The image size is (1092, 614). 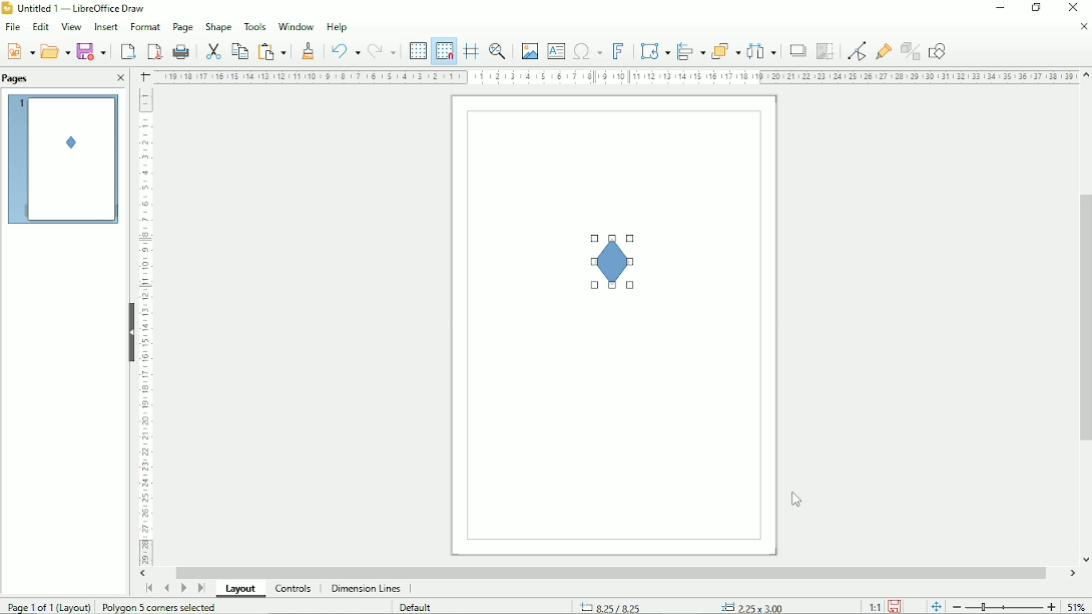 I want to click on Shape, so click(x=218, y=25).